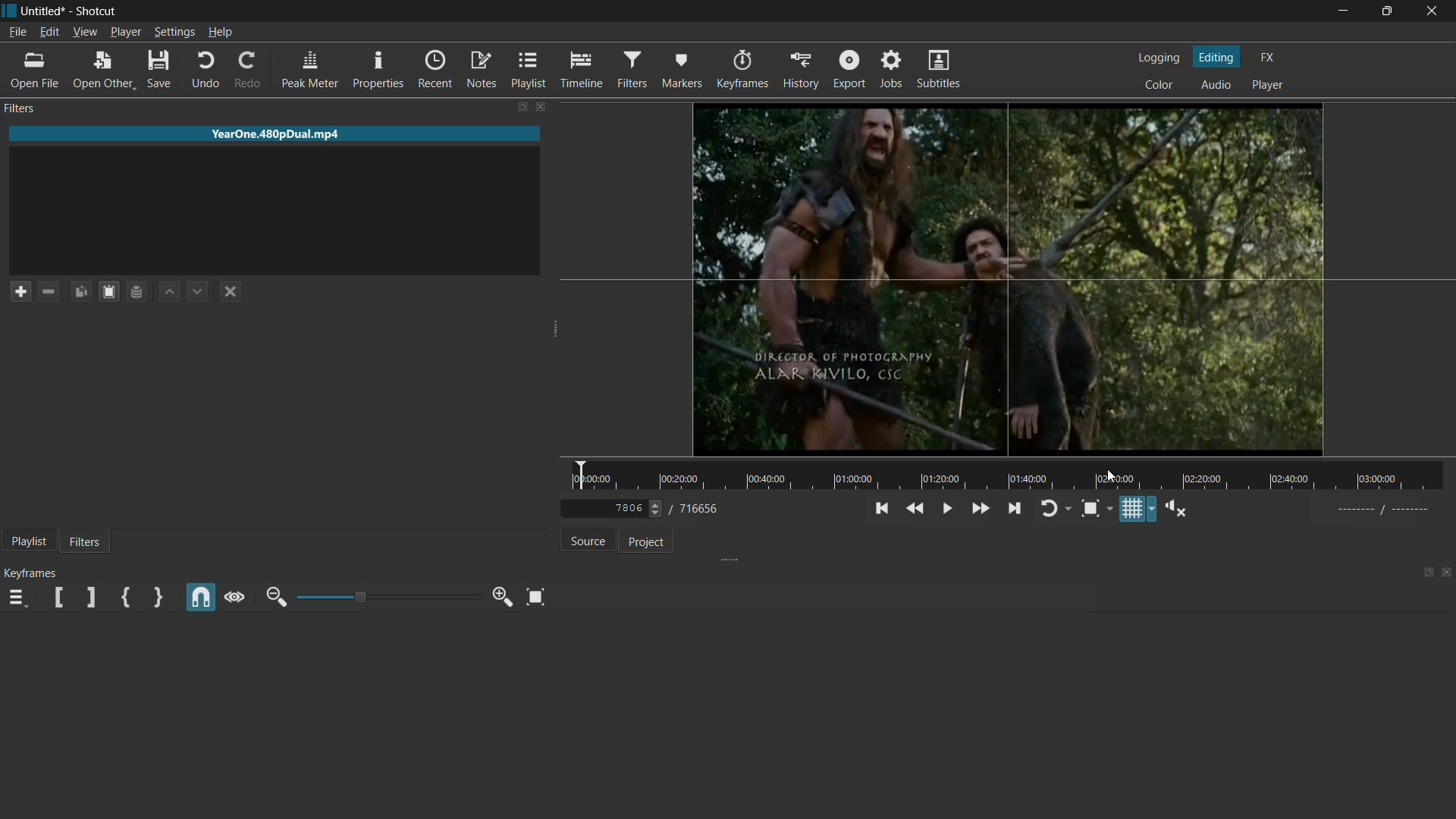 The image size is (1456, 819). Describe the element at coordinates (1050, 508) in the screenshot. I see `toggle player looping` at that location.